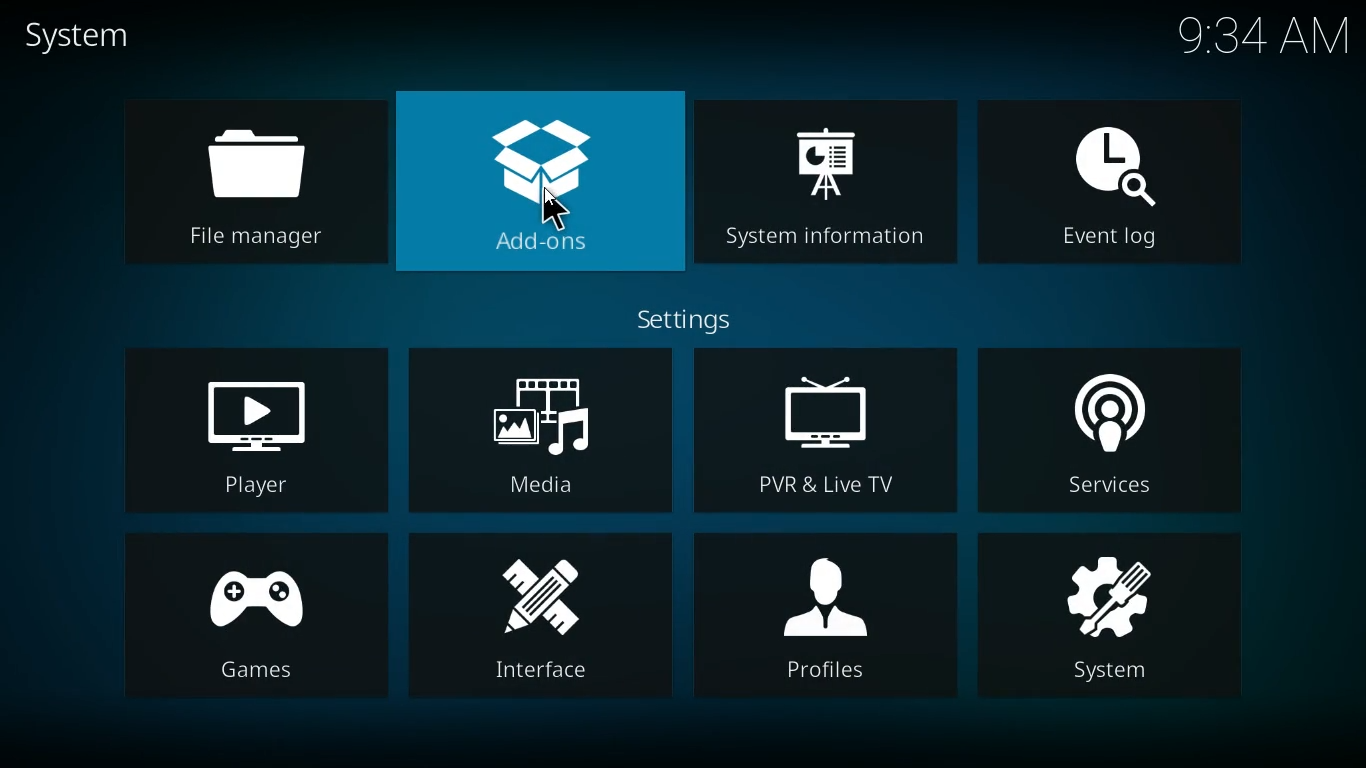 The width and height of the screenshot is (1366, 768). I want to click on media, so click(536, 427).